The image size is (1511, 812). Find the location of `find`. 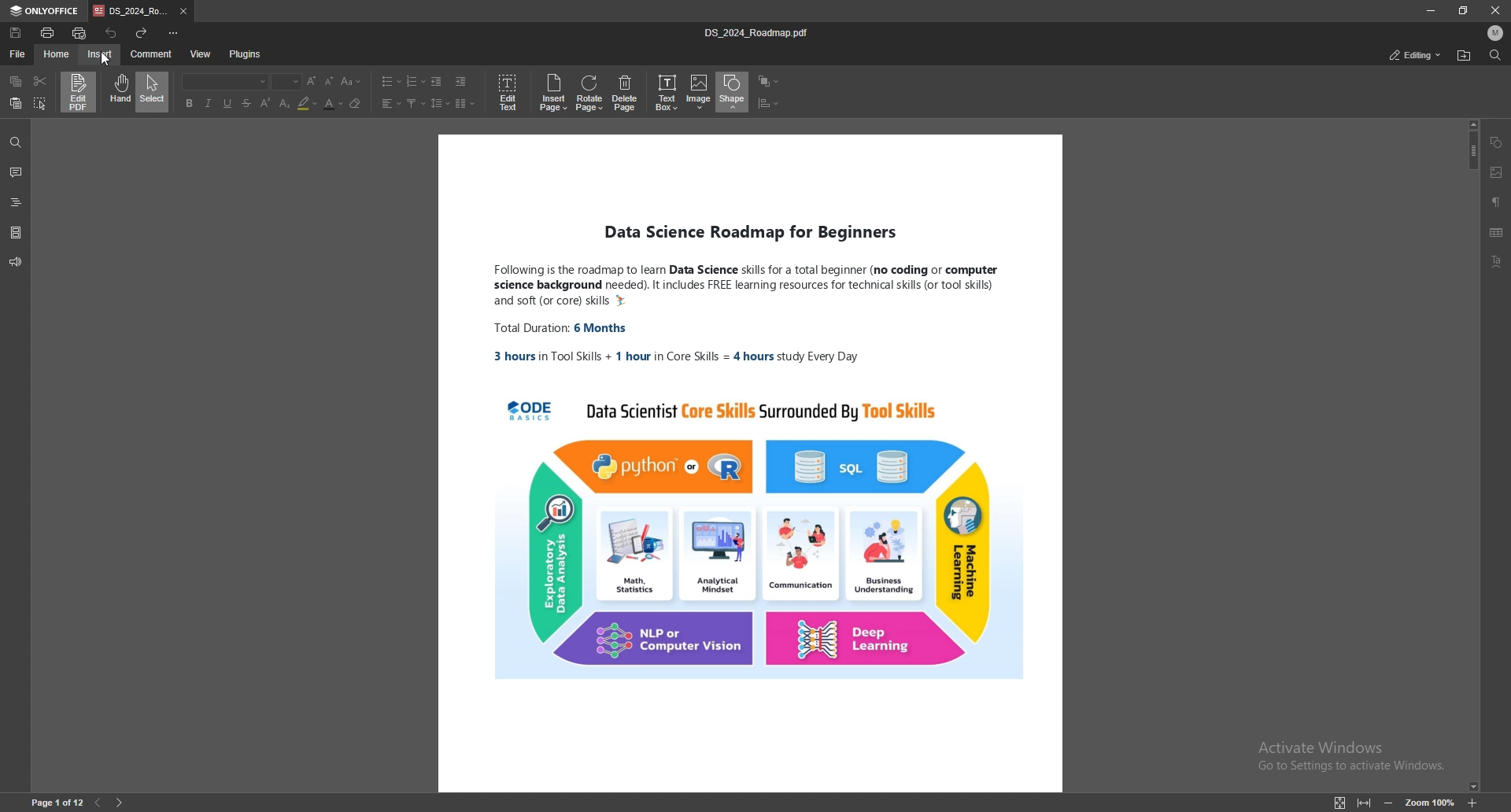

find is located at coordinates (1494, 55).